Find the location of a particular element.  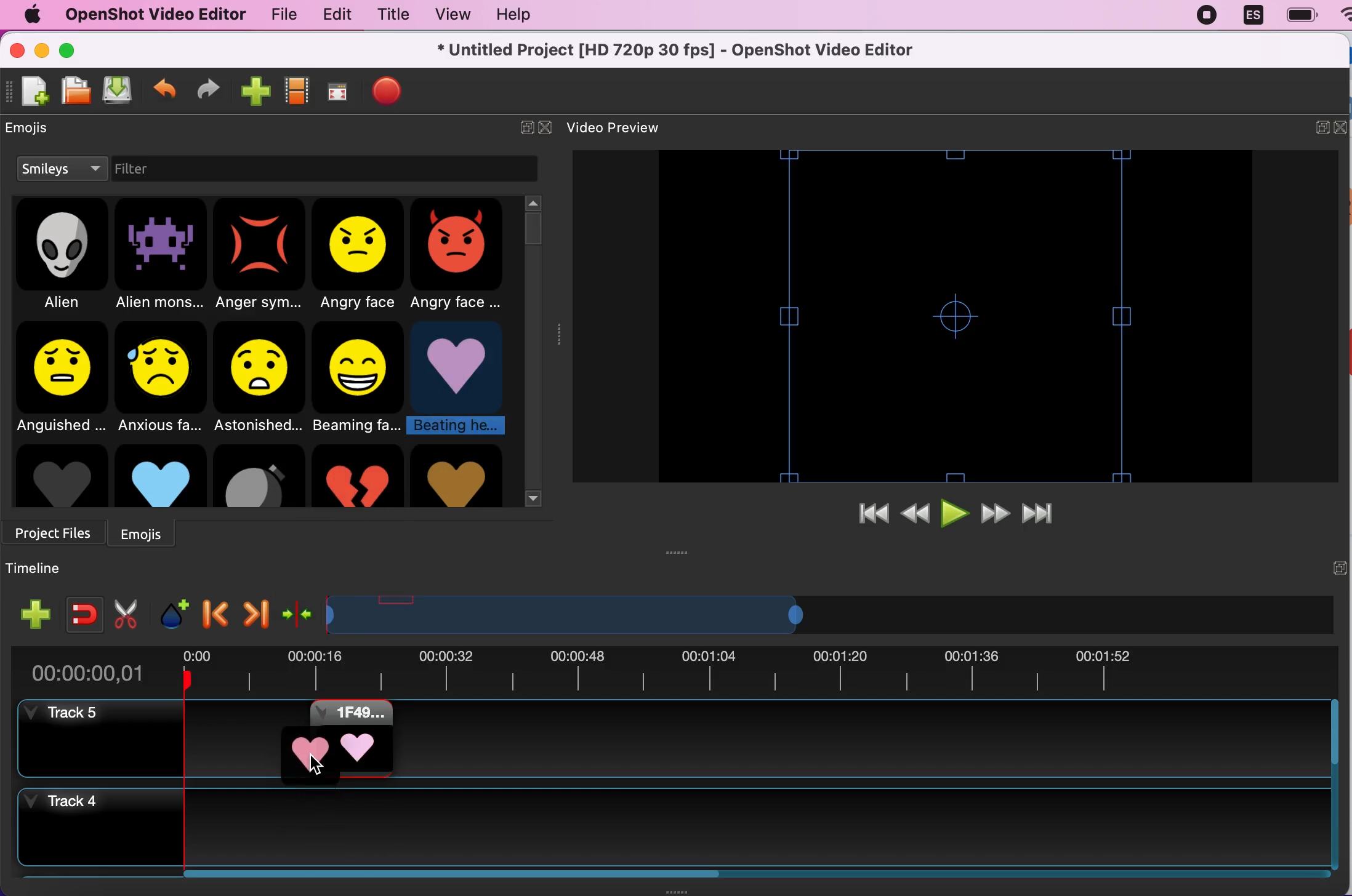

close is located at coordinates (549, 124).